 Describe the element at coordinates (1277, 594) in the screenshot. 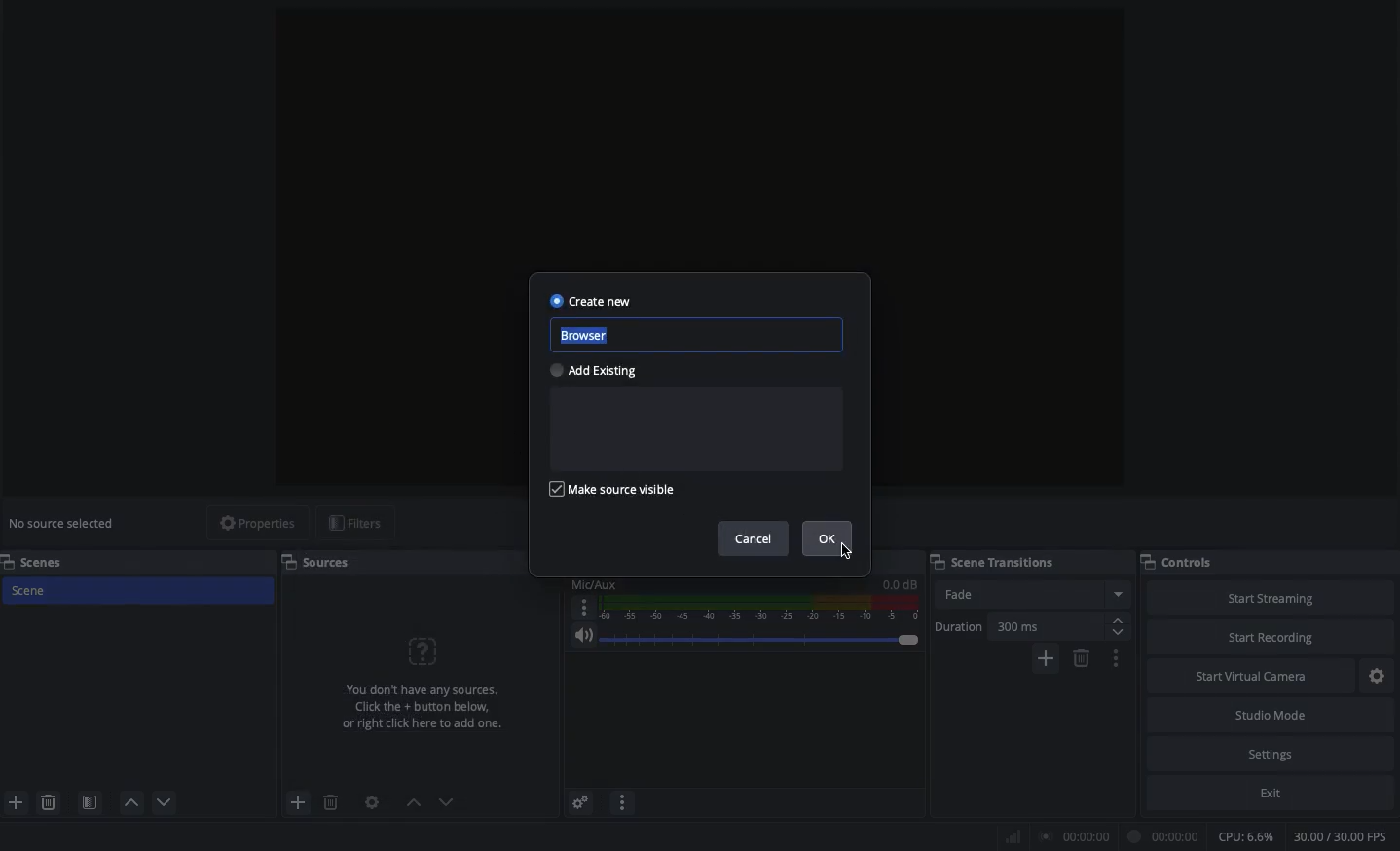

I see `Start streaming` at that location.